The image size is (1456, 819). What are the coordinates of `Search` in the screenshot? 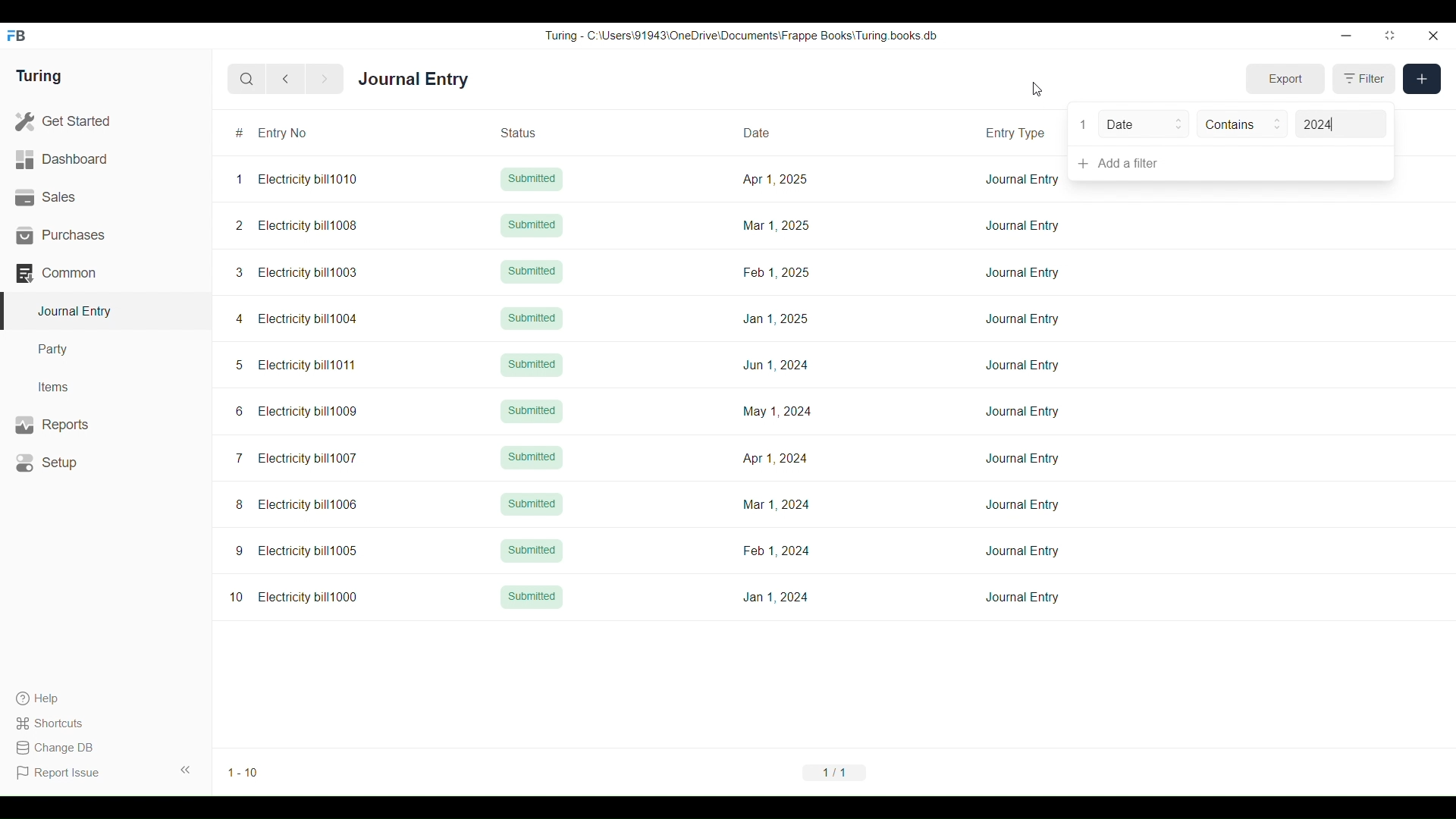 It's located at (246, 80).